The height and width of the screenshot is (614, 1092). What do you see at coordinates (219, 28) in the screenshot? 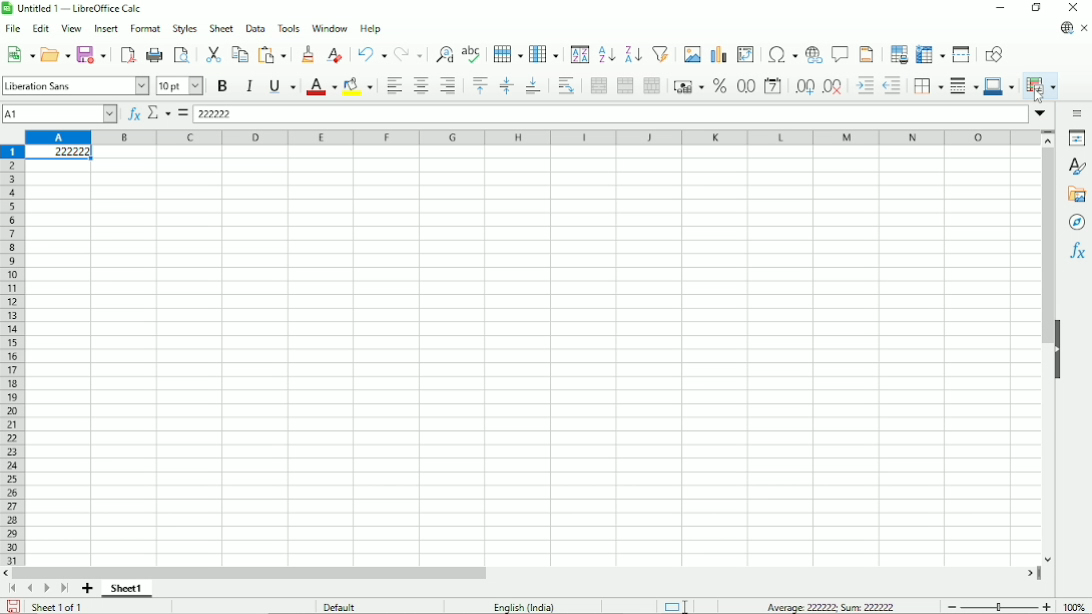
I see `Sheet` at bounding box center [219, 28].